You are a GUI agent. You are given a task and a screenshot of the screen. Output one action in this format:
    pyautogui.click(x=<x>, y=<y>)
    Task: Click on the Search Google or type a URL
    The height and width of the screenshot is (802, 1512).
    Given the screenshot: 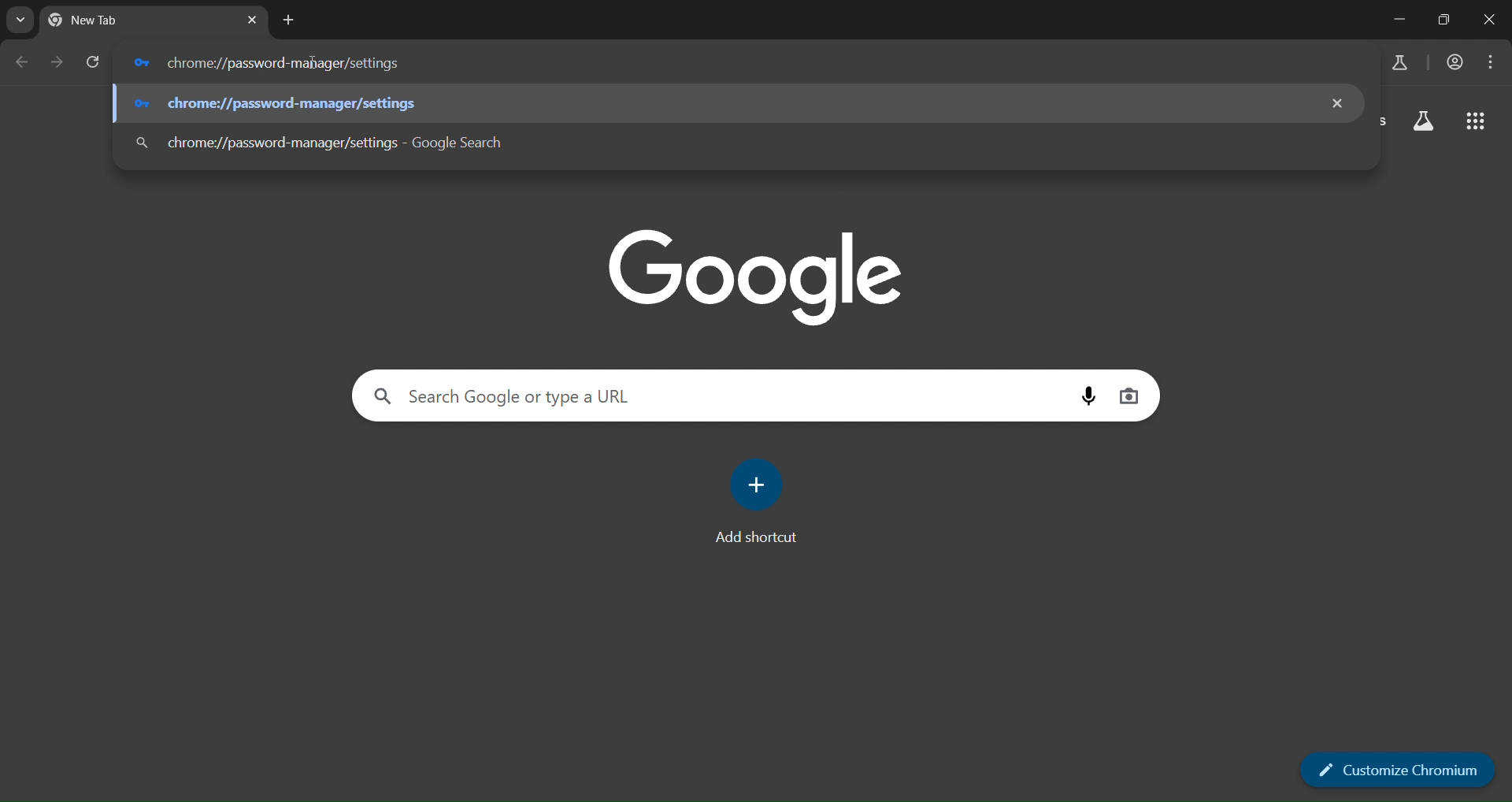 What is the action you would take?
    pyautogui.click(x=712, y=395)
    